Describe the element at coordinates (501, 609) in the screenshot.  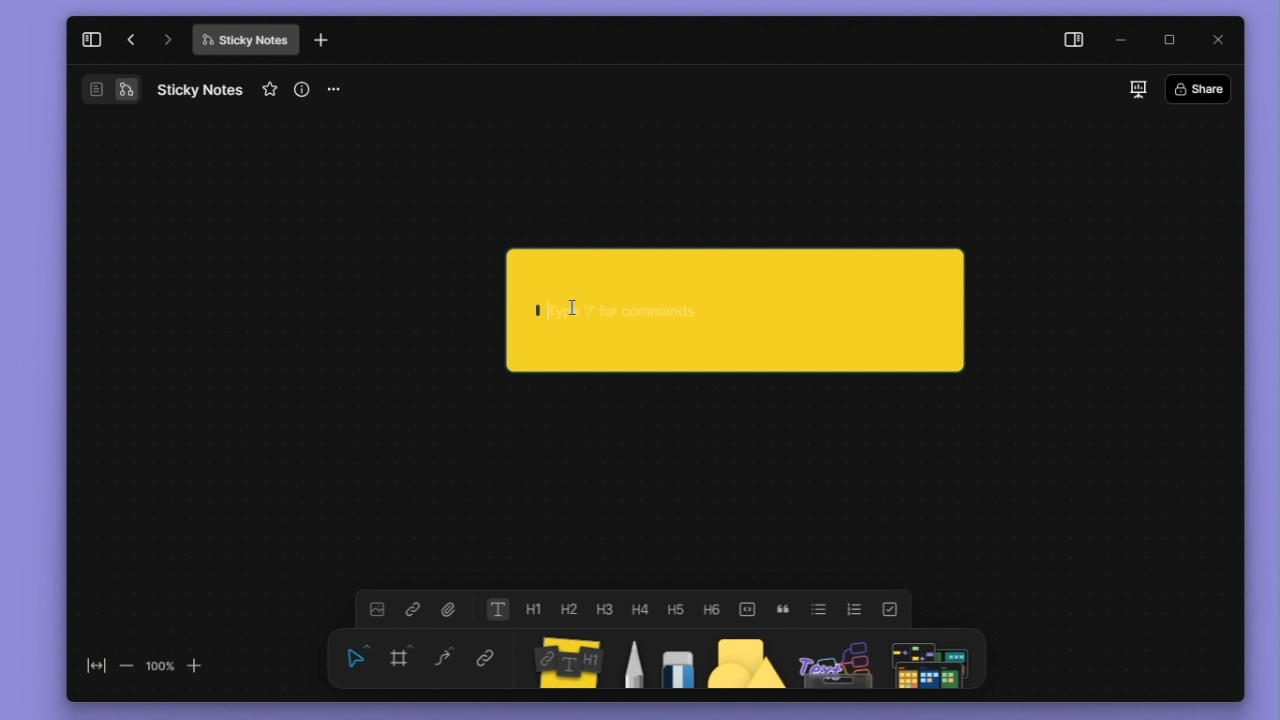
I see `text` at that location.